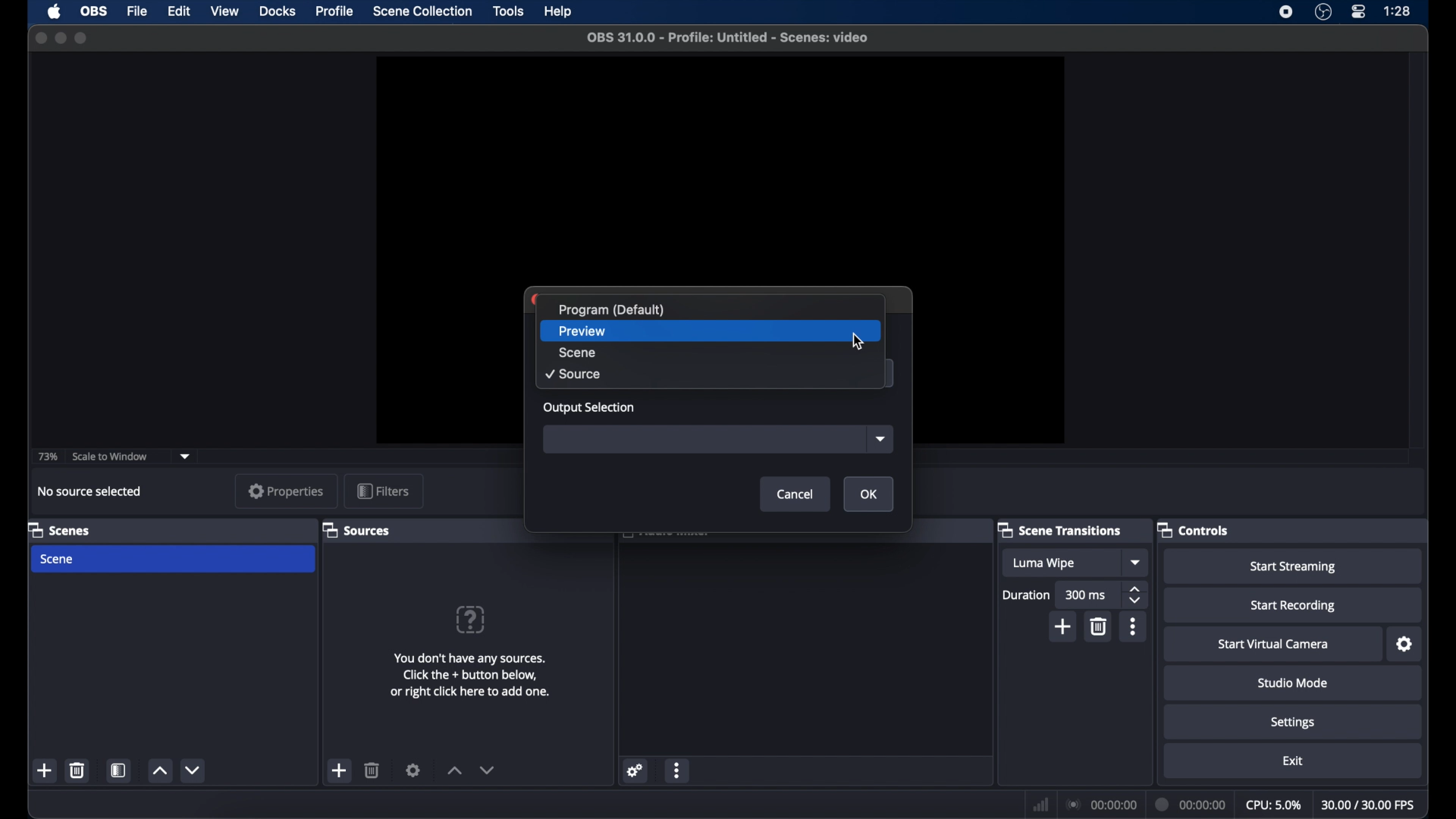 This screenshot has width=1456, height=819. Describe the element at coordinates (1293, 566) in the screenshot. I see `start streaming` at that location.